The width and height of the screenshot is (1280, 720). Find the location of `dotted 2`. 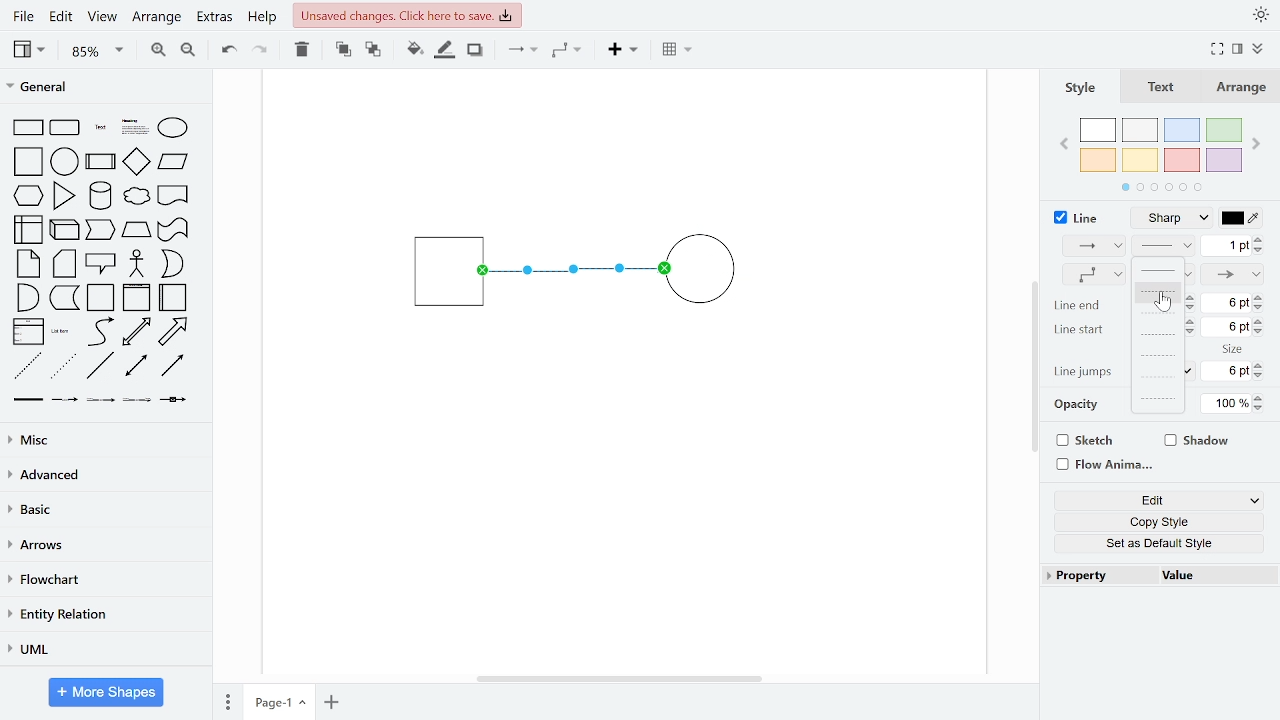

dotted 2 is located at coordinates (1158, 377).